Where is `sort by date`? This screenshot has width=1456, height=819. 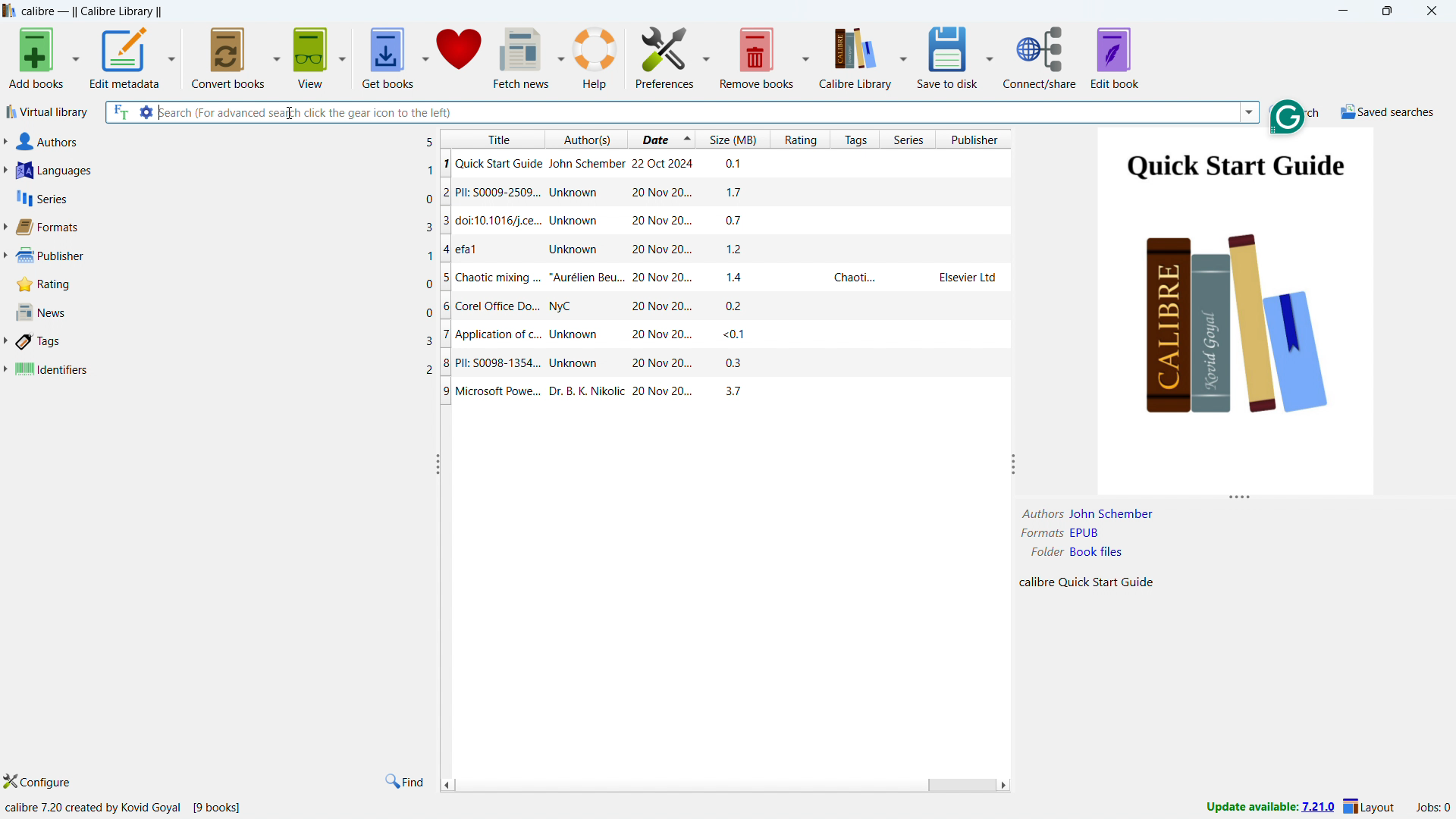
sort by date is located at coordinates (654, 139).